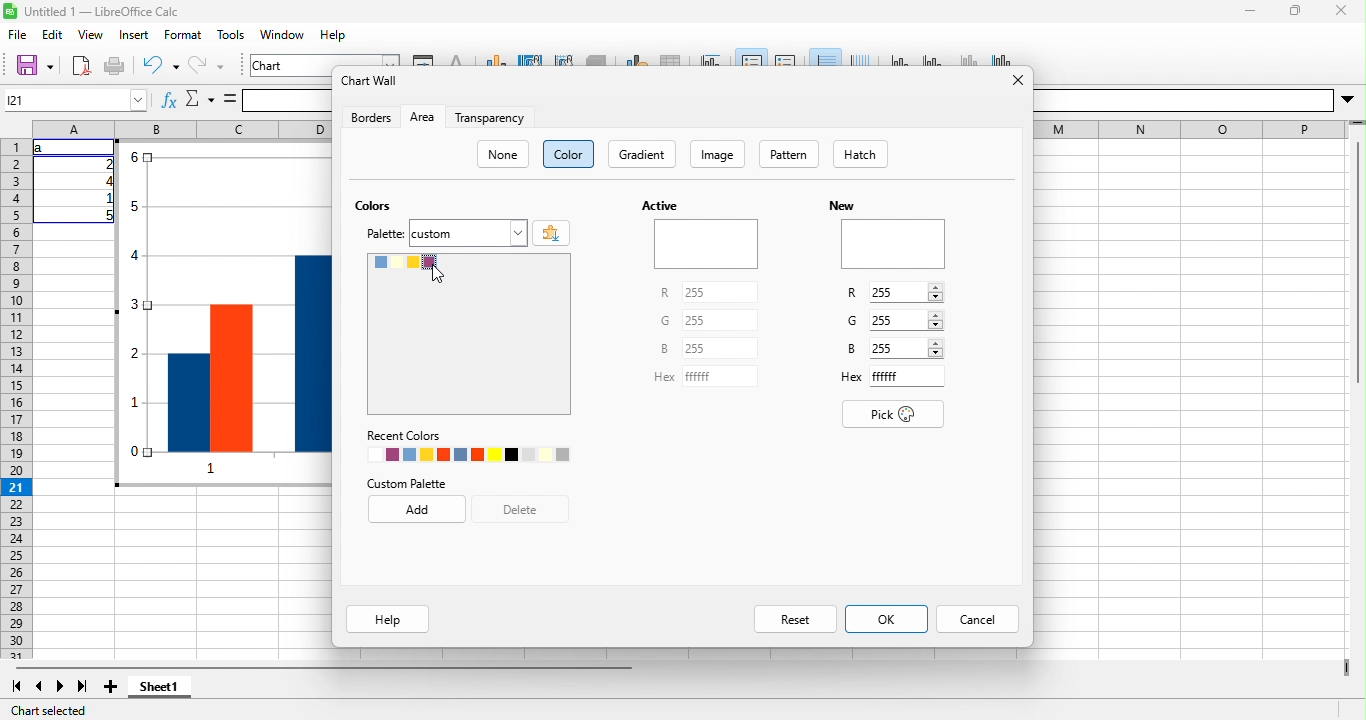 The height and width of the screenshot is (720, 1366). What do you see at coordinates (842, 206) in the screenshot?
I see `New` at bounding box center [842, 206].